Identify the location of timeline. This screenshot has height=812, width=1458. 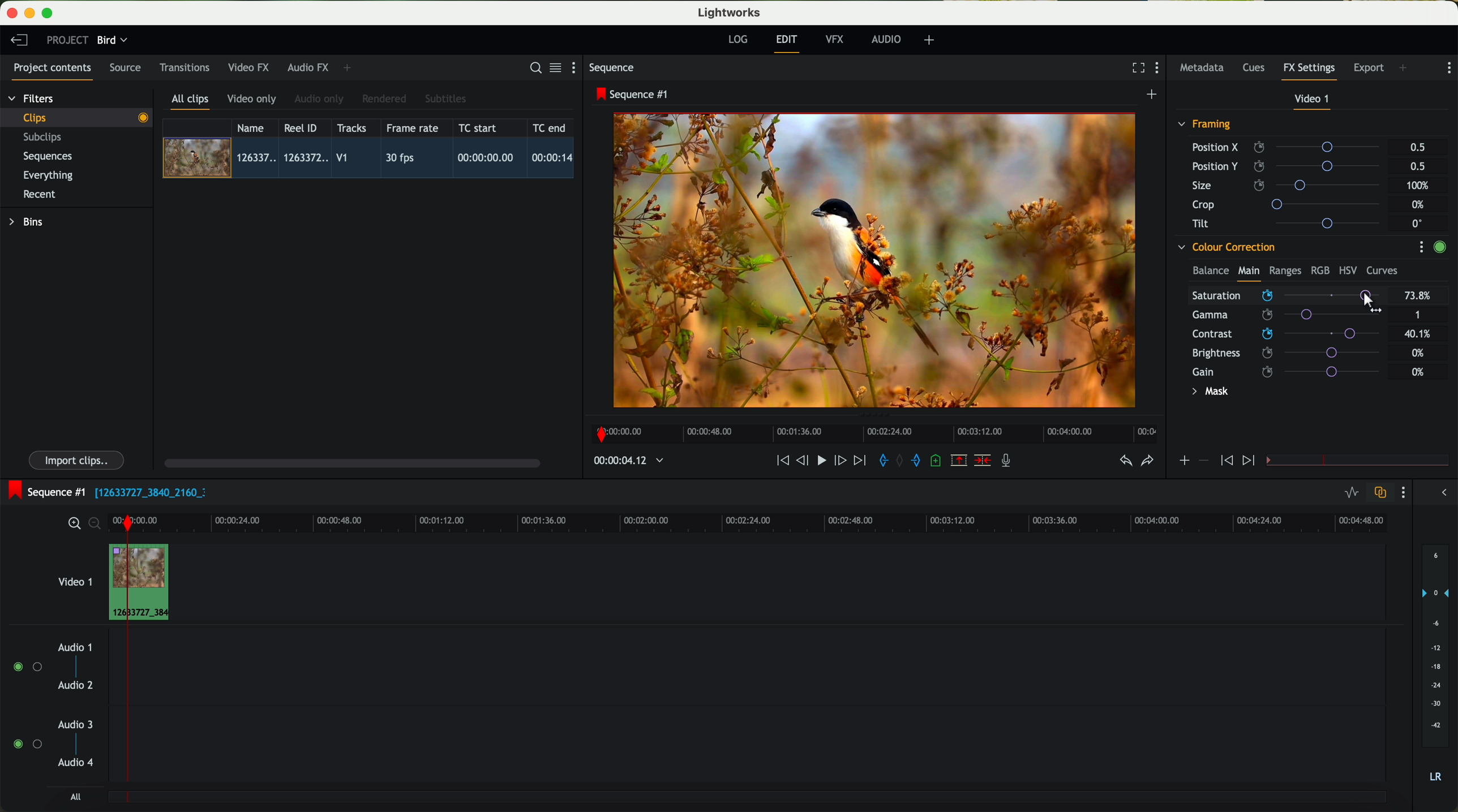
(784, 522).